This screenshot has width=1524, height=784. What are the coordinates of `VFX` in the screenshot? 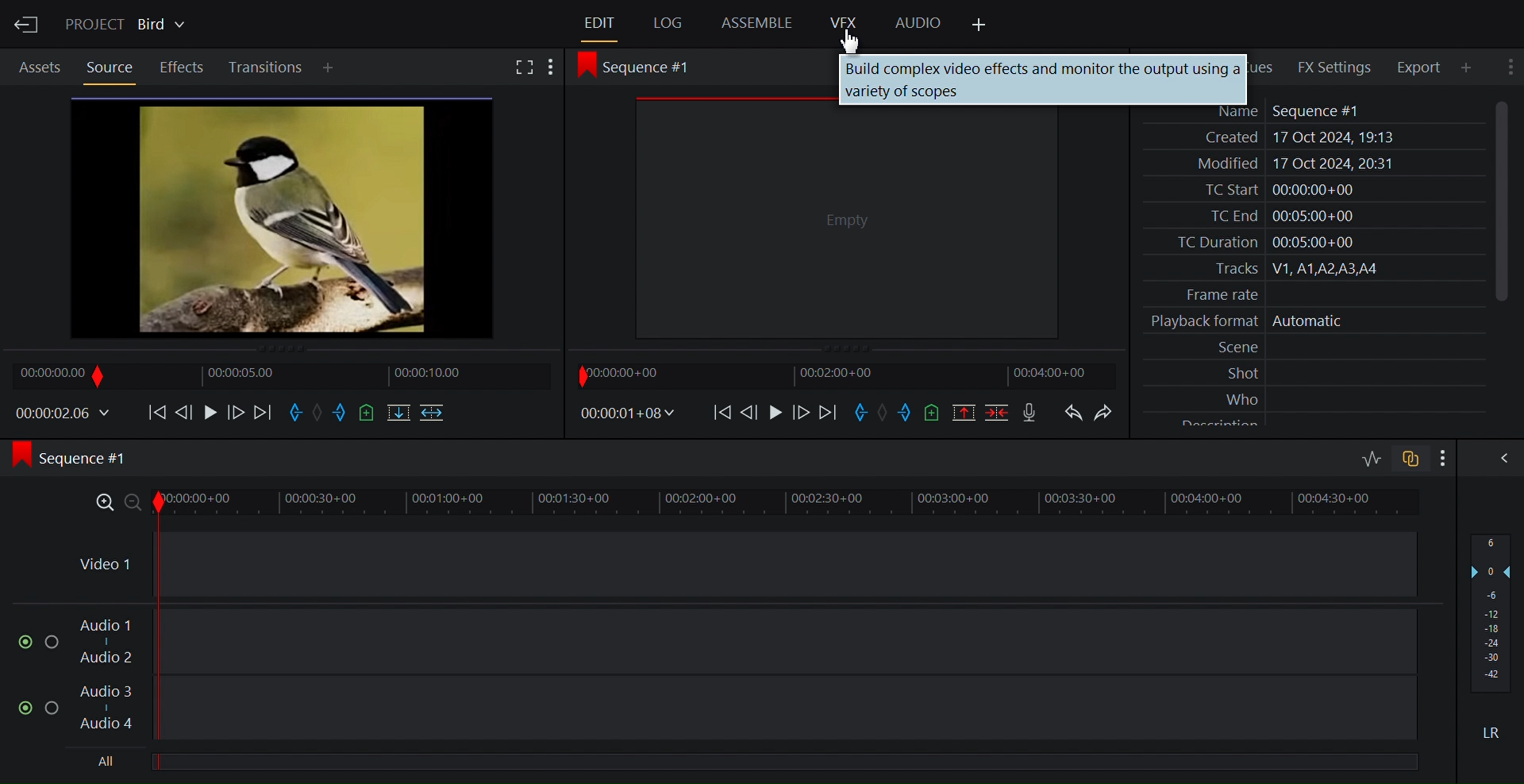 It's located at (845, 22).